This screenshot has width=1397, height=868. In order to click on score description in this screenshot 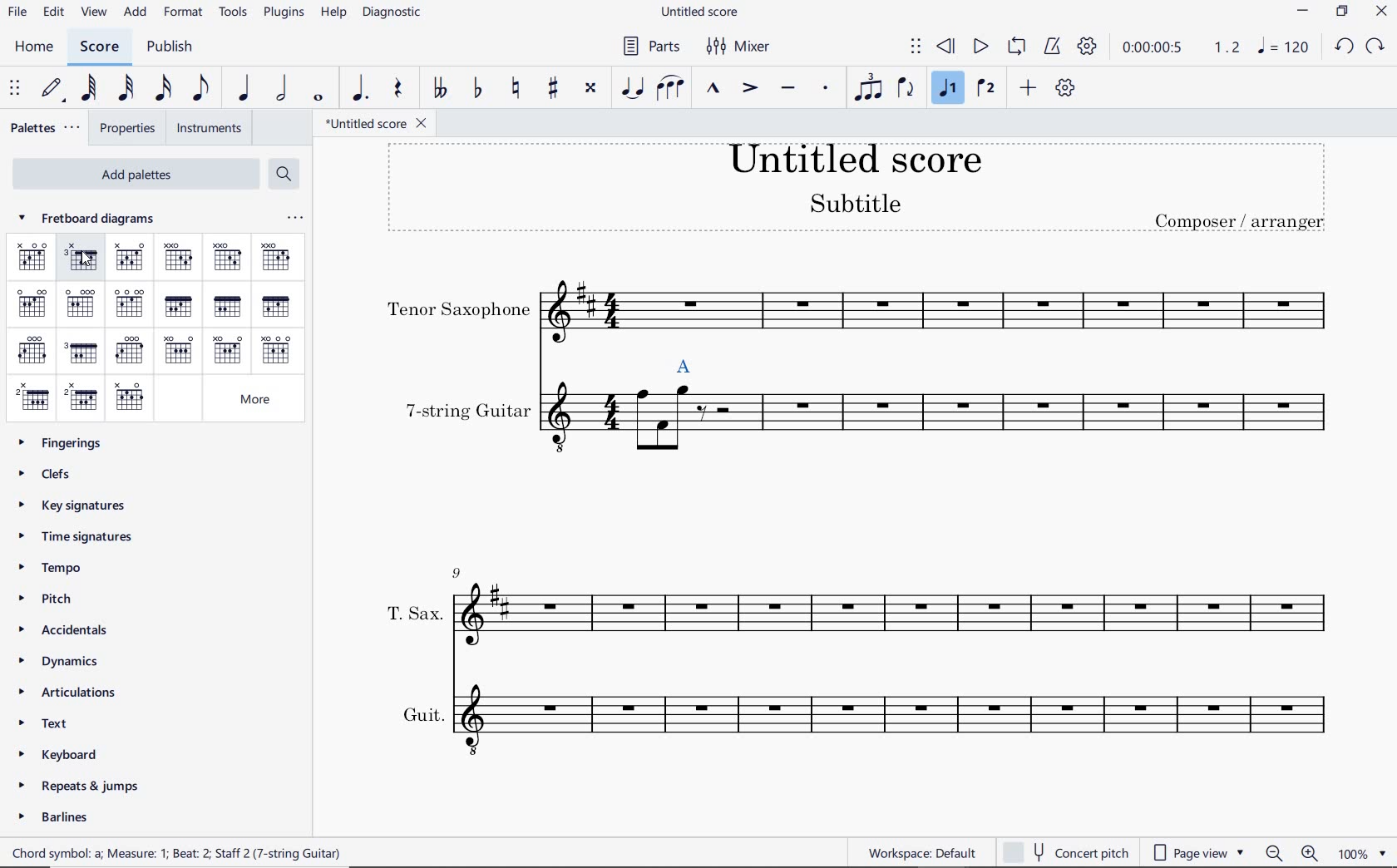, I will do `click(179, 851)`.